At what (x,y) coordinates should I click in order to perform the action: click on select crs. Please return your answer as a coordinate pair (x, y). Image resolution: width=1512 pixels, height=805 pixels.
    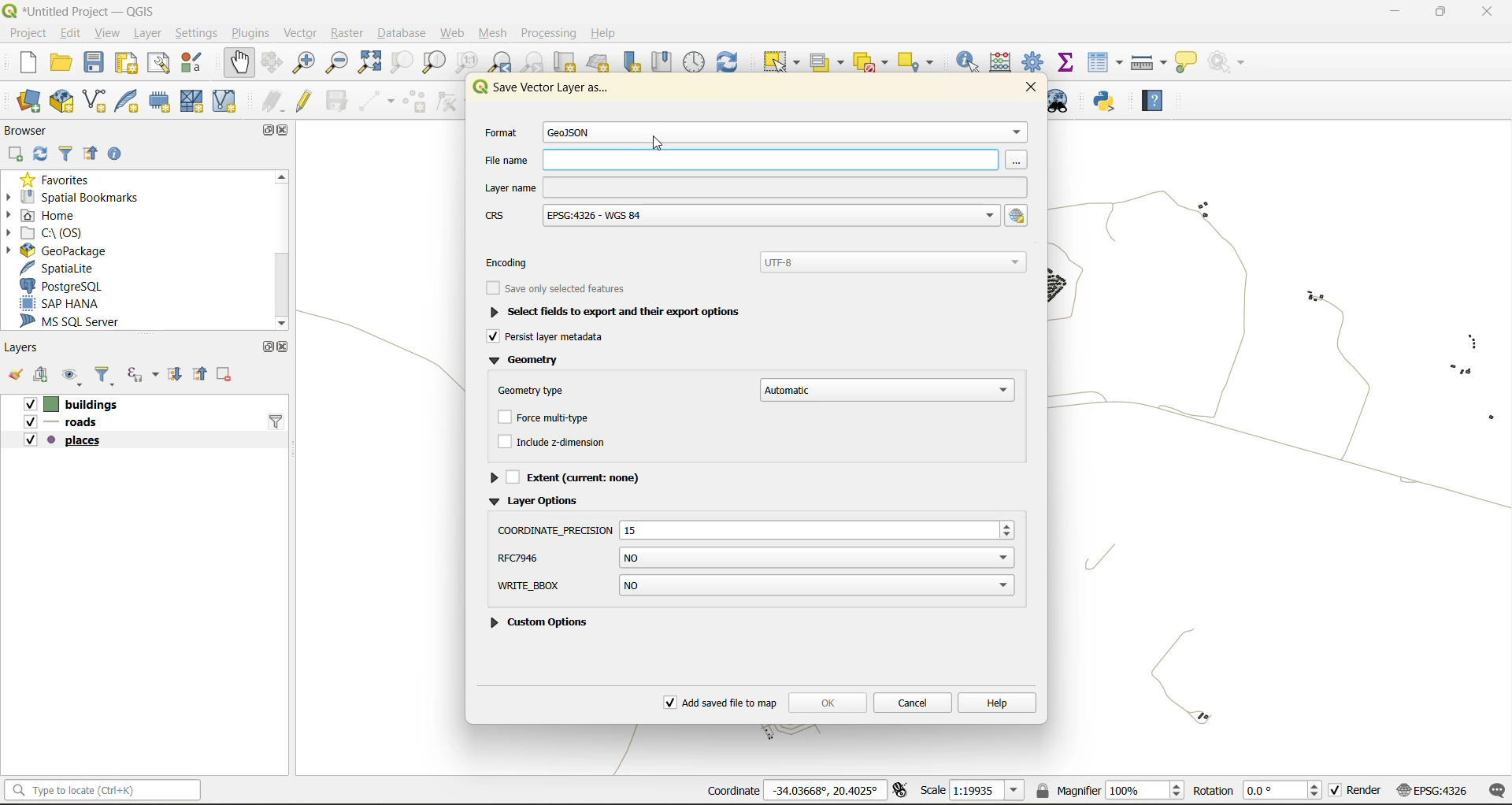
    Looking at the image, I should click on (1017, 214).